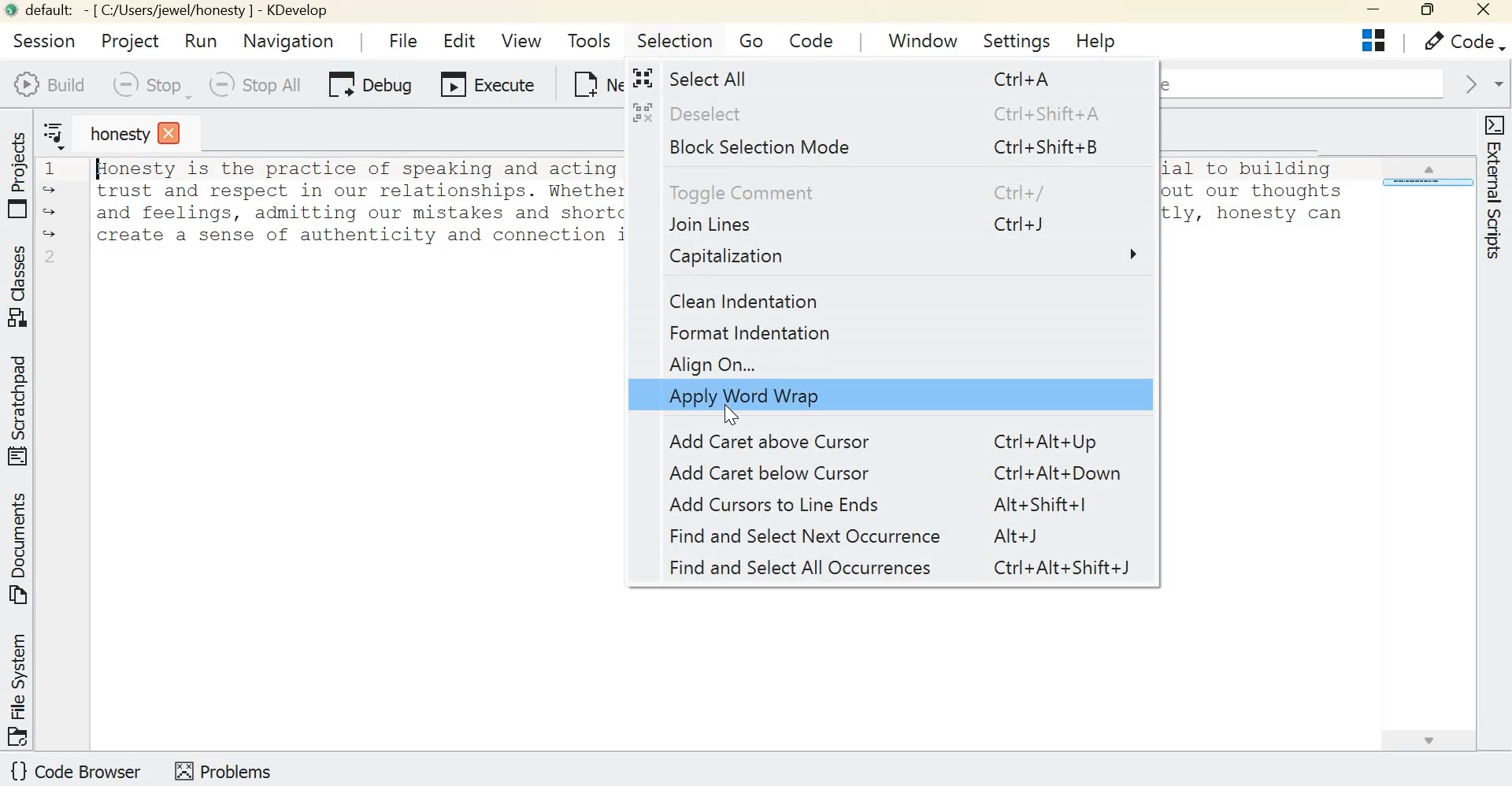  What do you see at coordinates (21, 287) in the screenshot?
I see `Toggle 'Classes' tool view` at bounding box center [21, 287].